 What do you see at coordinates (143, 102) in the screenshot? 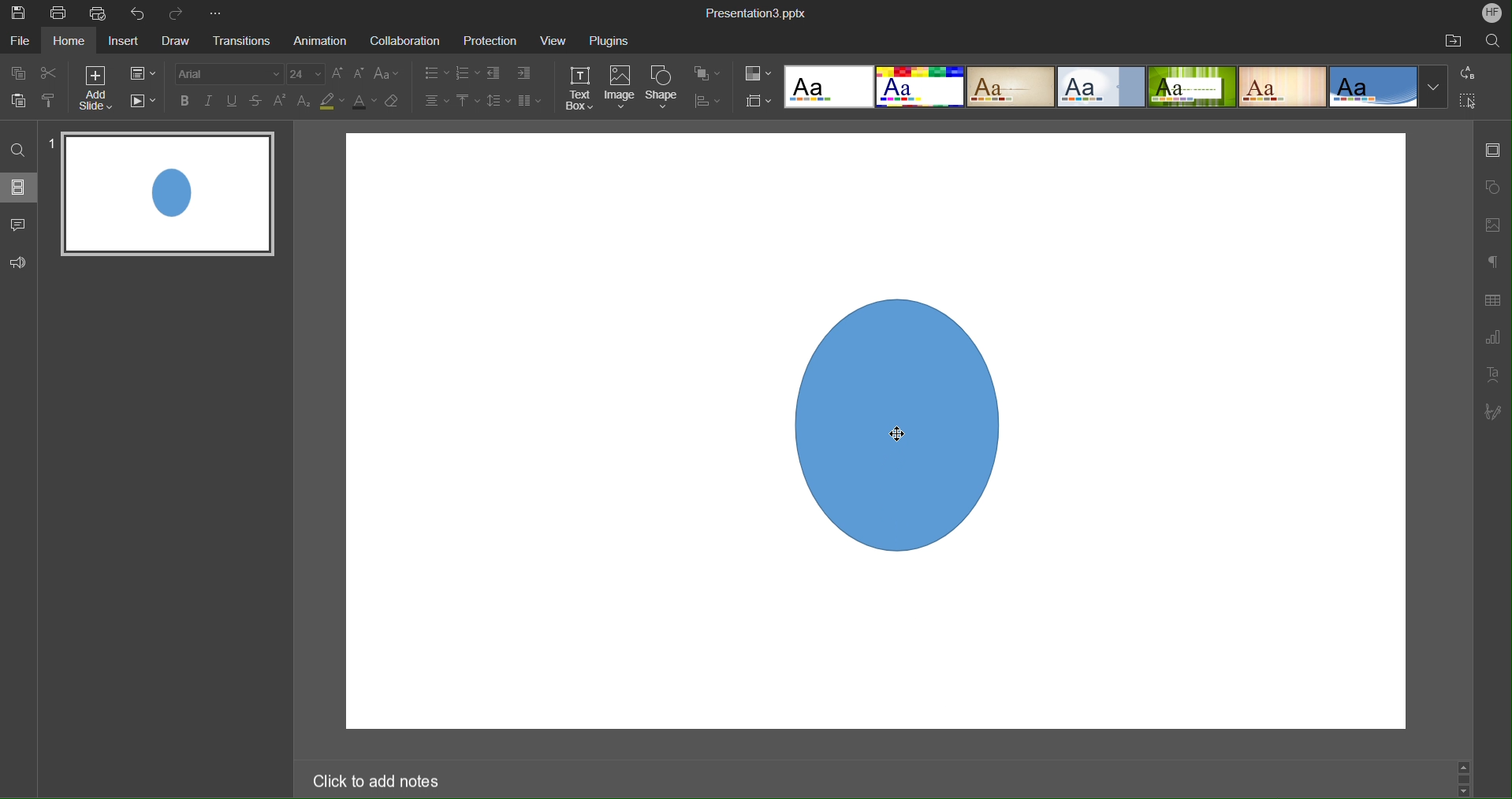
I see `Playback` at bounding box center [143, 102].